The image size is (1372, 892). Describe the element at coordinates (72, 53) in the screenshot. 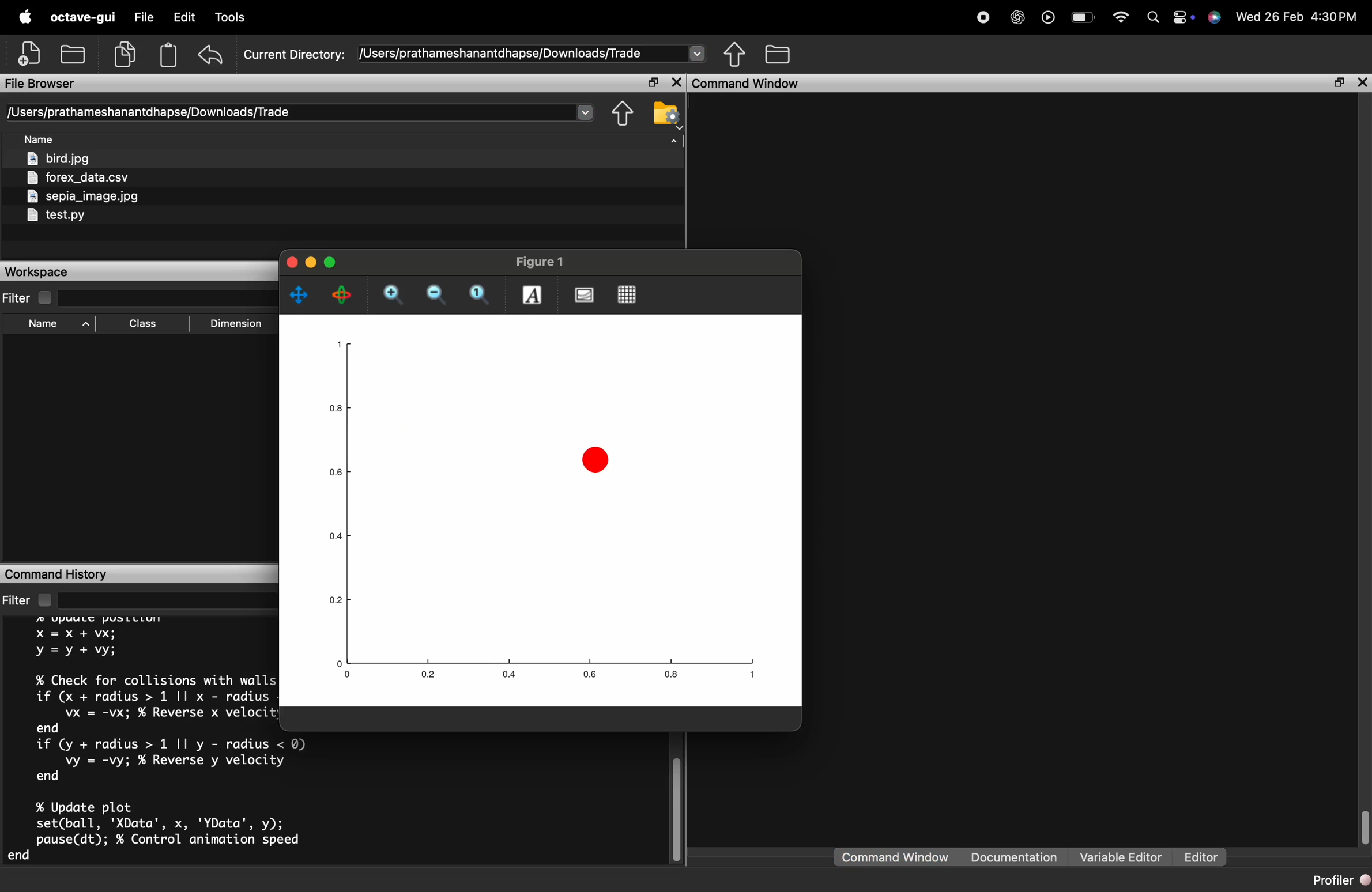

I see `add folder` at that location.